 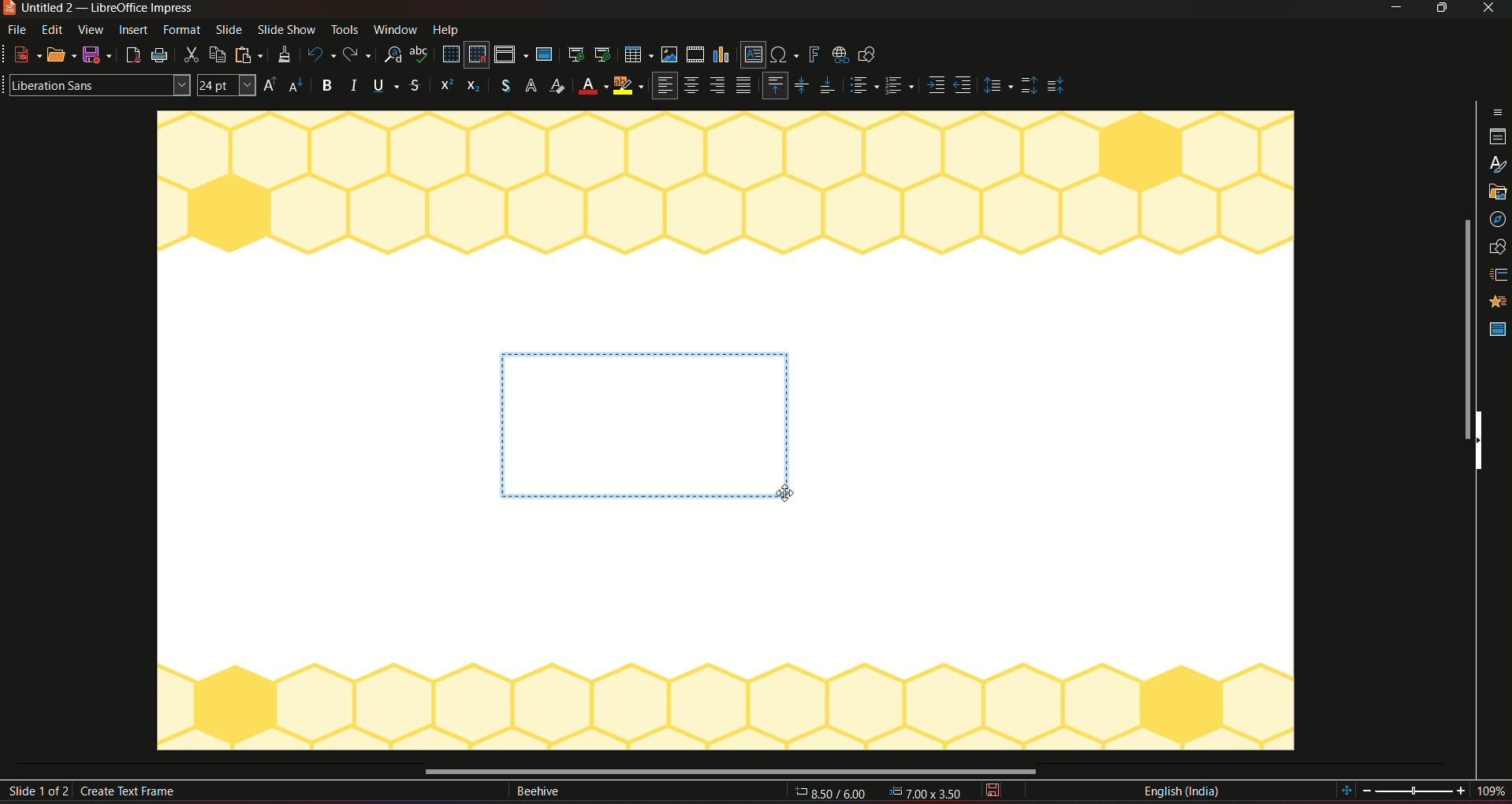 I want to click on font size, so click(x=229, y=86).